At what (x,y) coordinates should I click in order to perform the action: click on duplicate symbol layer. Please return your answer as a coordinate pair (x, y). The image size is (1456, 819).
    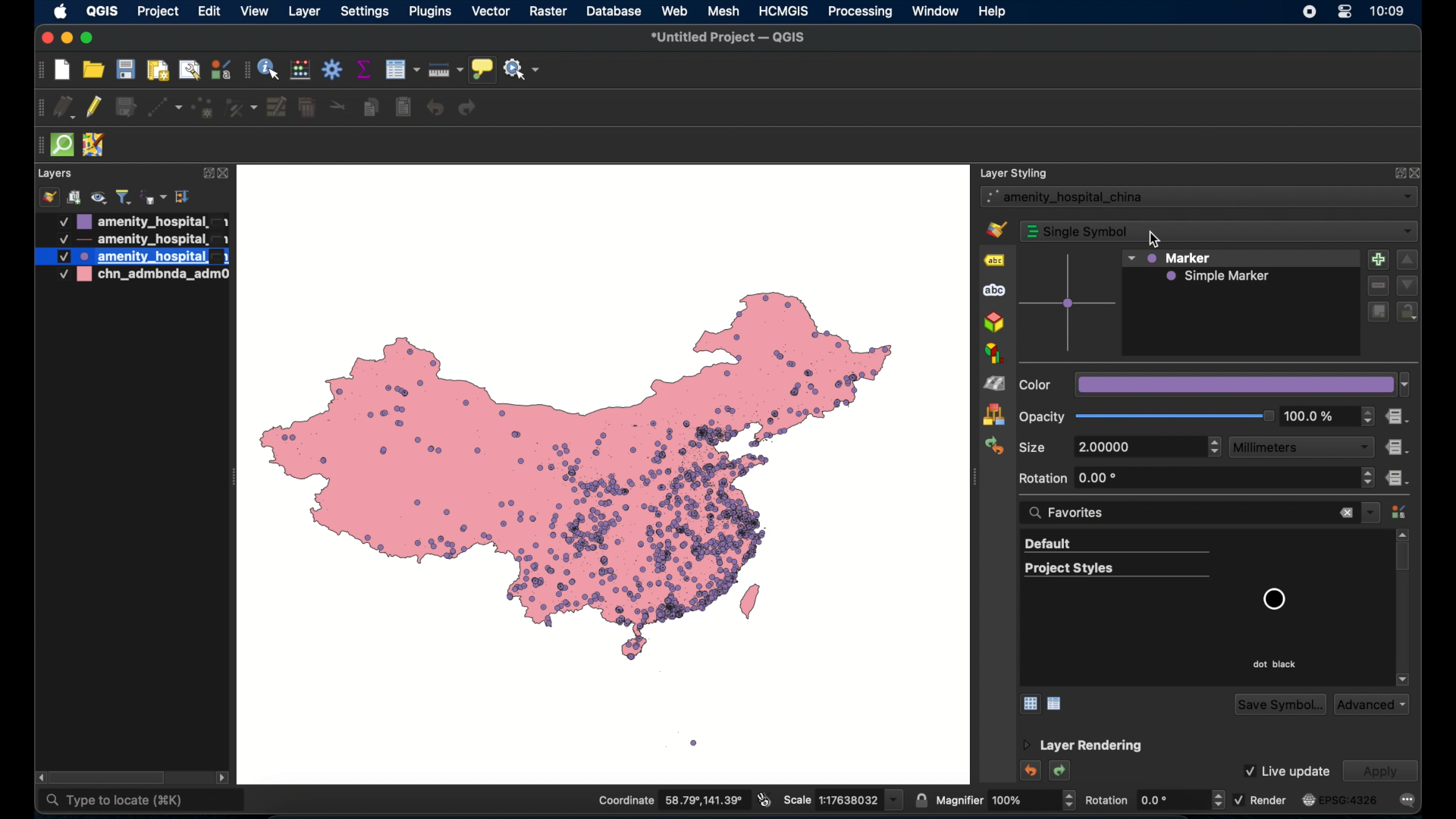
    Looking at the image, I should click on (1378, 312).